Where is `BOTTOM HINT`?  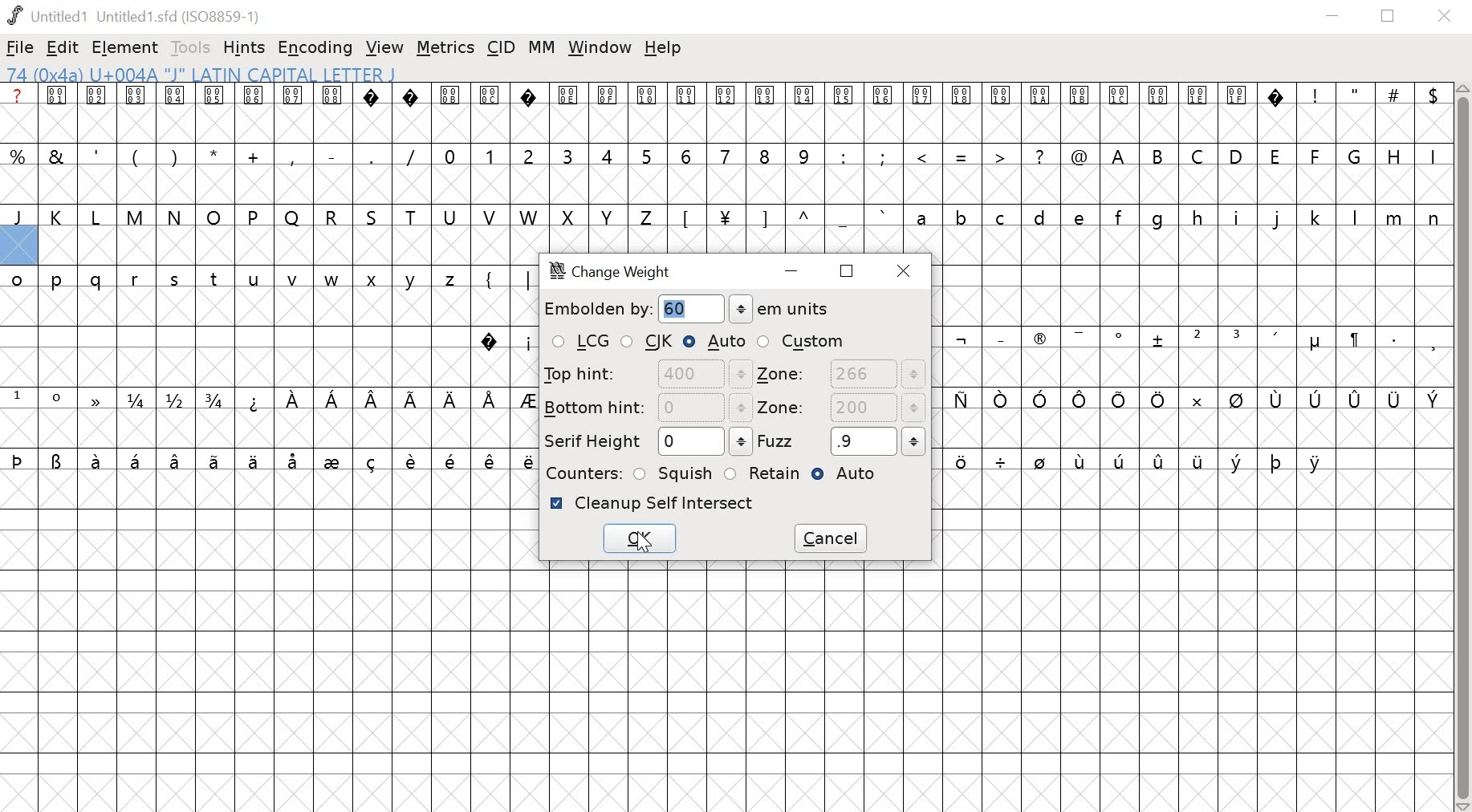 BOTTOM HINT is located at coordinates (647, 407).